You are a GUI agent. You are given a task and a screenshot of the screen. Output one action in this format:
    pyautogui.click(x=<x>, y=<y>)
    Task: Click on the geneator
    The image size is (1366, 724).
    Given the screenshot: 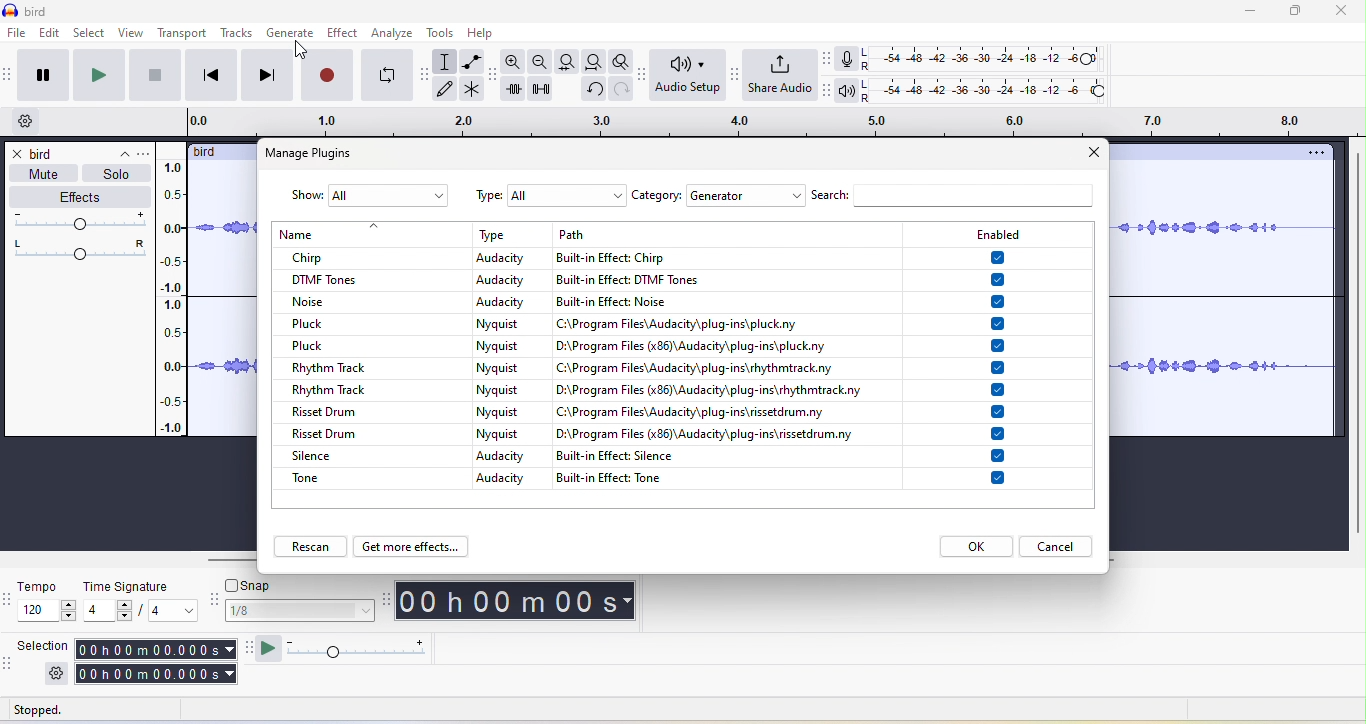 What is the action you would take?
    pyautogui.click(x=748, y=197)
    